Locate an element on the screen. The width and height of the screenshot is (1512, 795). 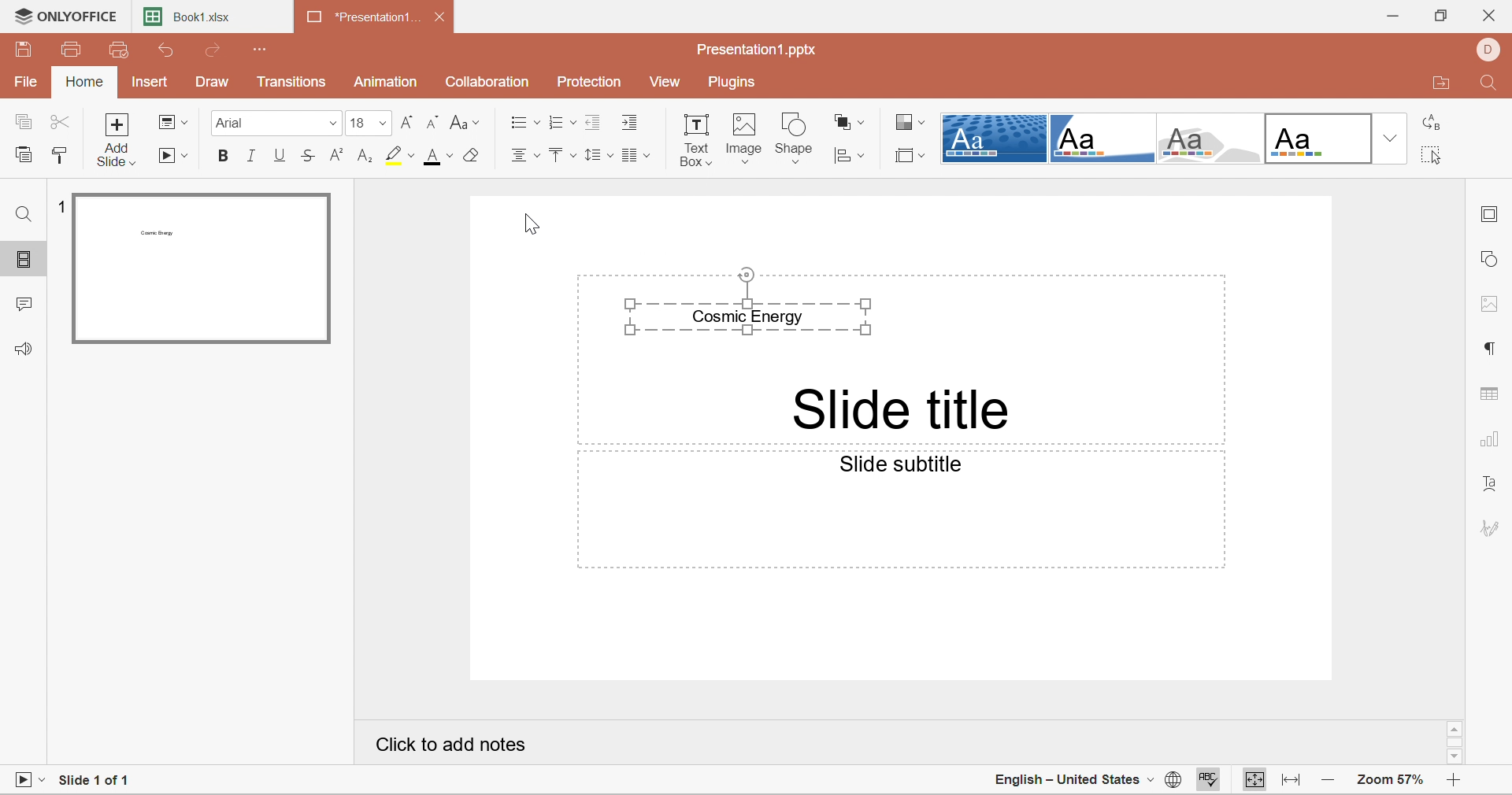
Subscript is located at coordinates (366, 157).